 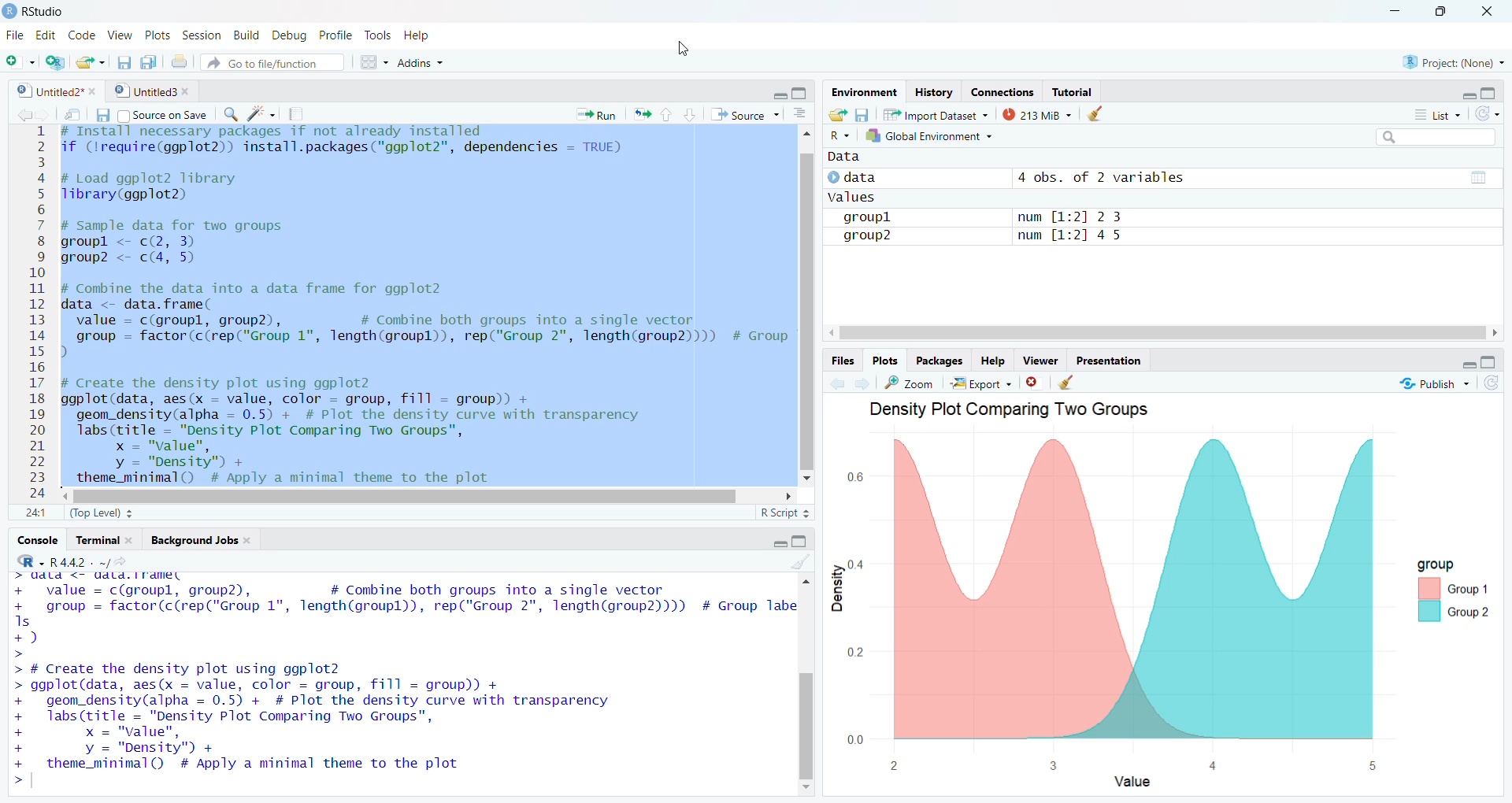 What do you see at coordinates (876, 177) in the screenshot?
I see `data` at bounding box center [876, 177].